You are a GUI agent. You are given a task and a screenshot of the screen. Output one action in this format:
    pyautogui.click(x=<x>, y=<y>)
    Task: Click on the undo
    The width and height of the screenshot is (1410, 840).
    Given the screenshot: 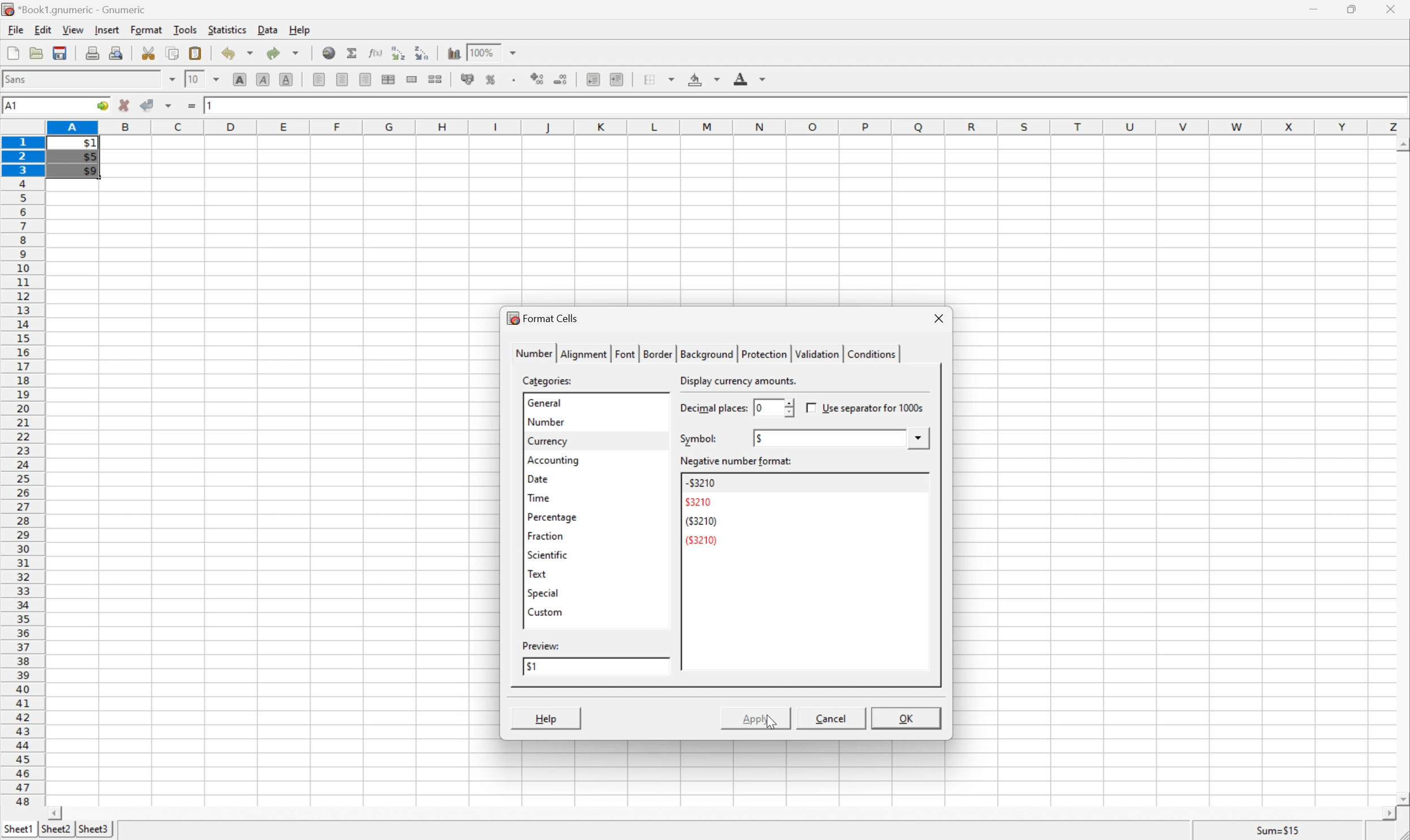 What is the action you would take?
    pyautogui.click(x=239, y=55)
    